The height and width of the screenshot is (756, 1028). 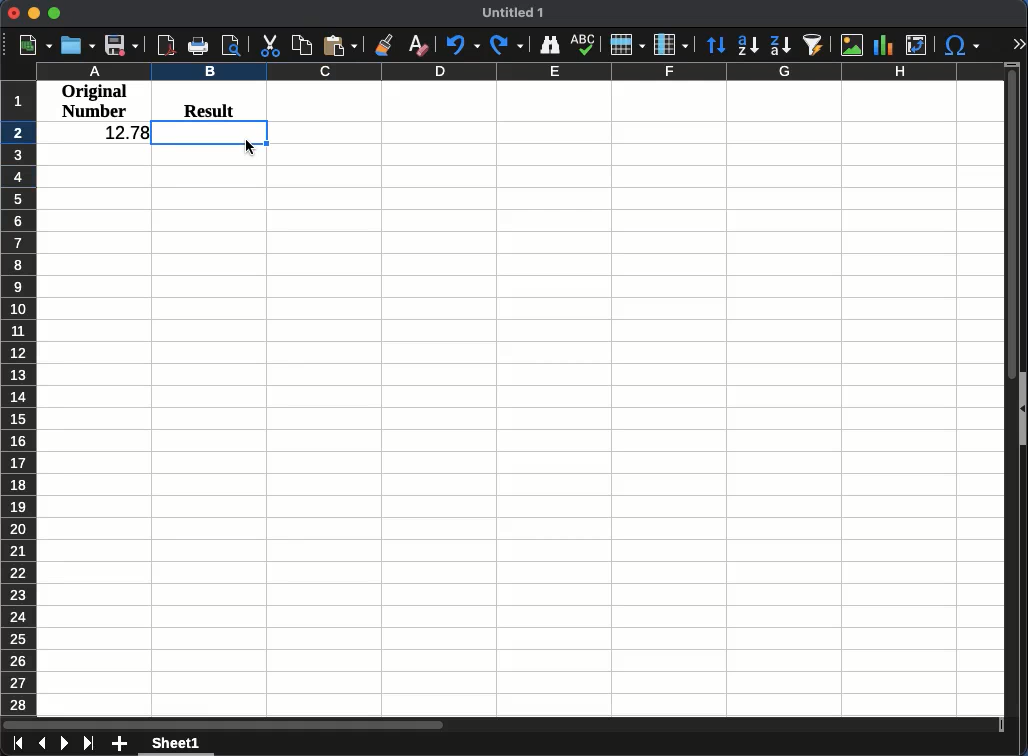 What do you see at coordinates (125, 131) in the screenshot?
I see `12.78` at bounding box center [125, 131].